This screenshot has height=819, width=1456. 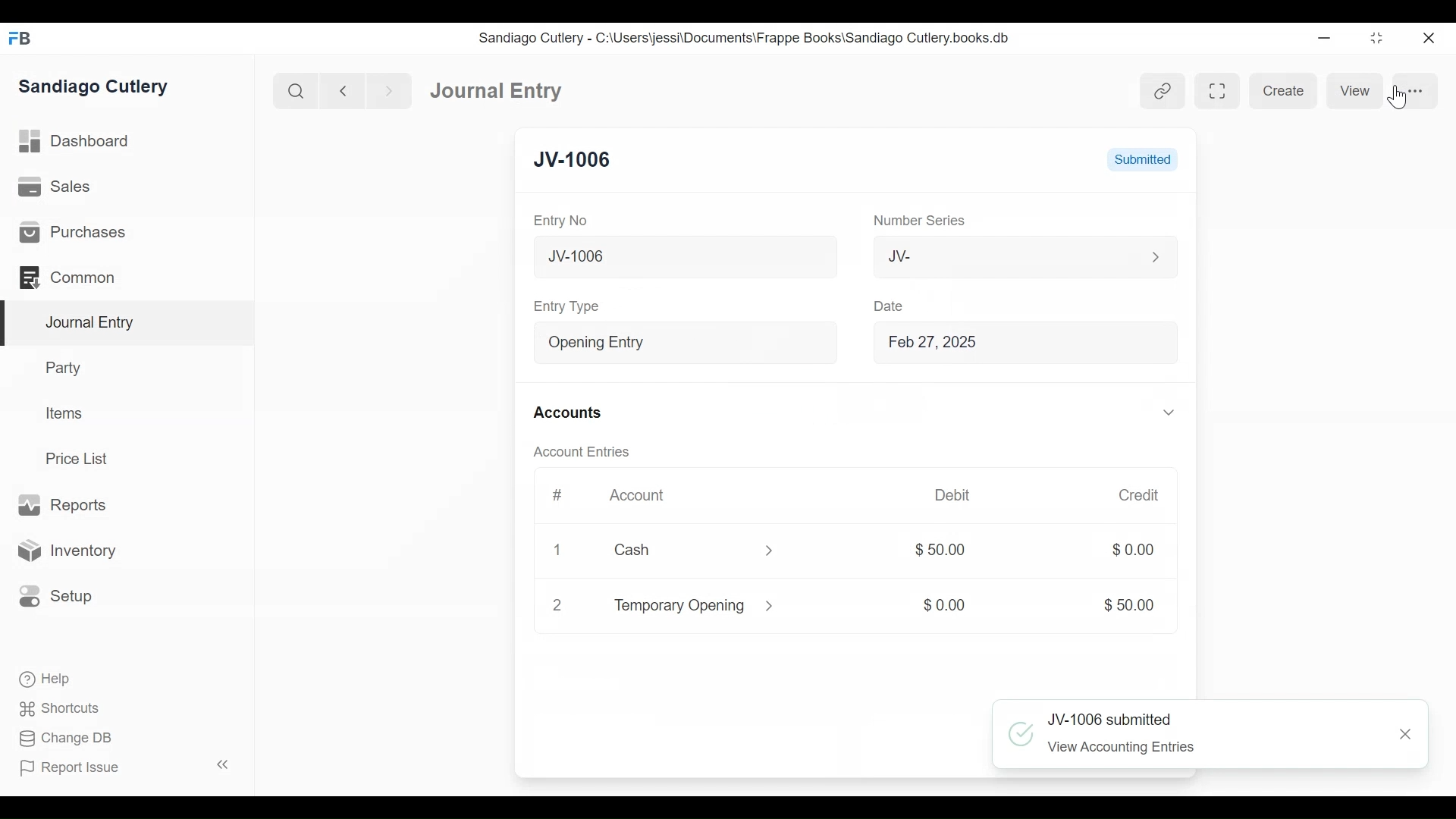 I want to click on Expand, so click(x=772, y=605).